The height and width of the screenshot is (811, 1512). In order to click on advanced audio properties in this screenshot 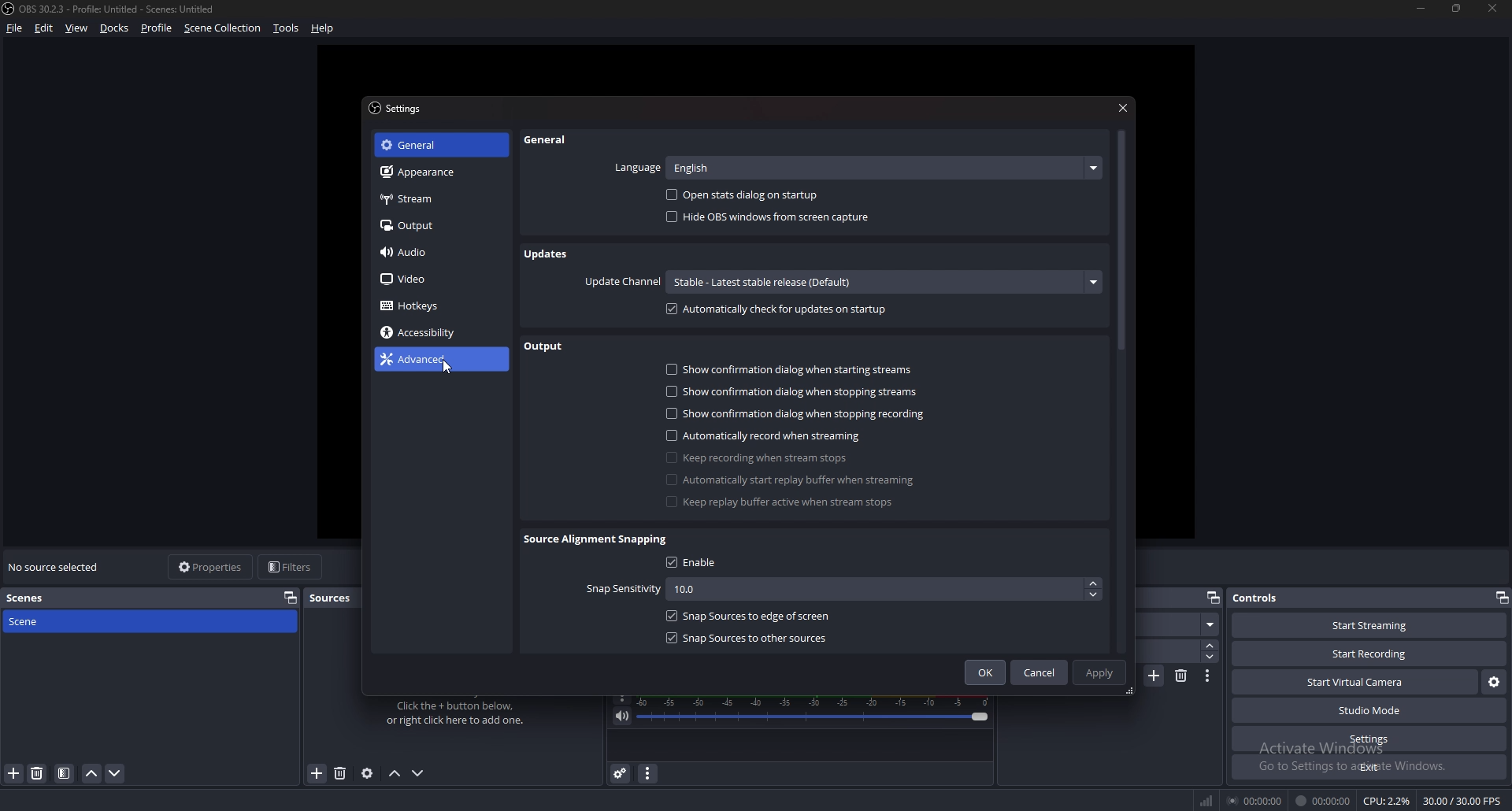, I will do `click(622, 773)`.